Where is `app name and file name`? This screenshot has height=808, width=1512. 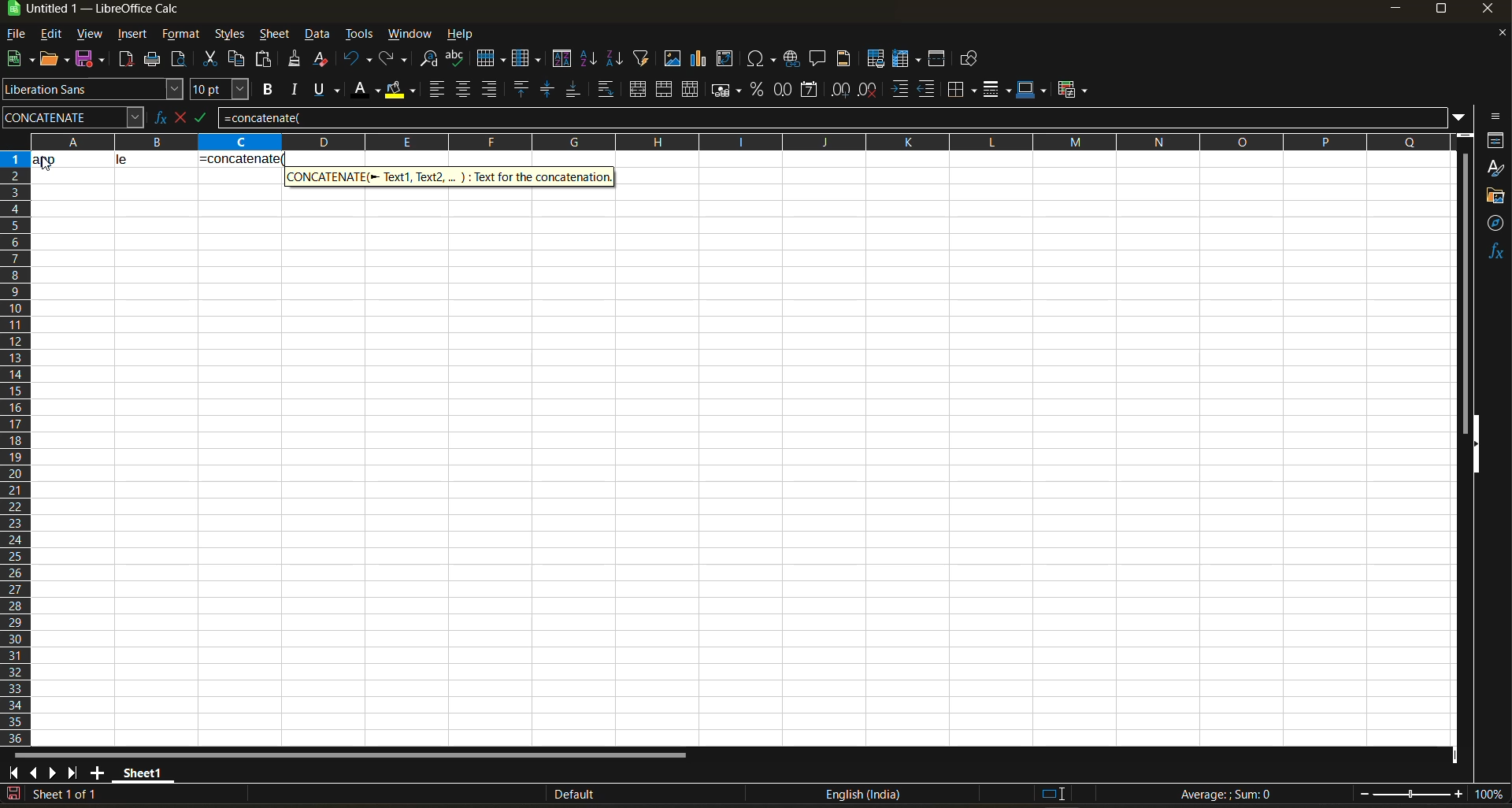
app name and file name is located at coordinates (109, 12).